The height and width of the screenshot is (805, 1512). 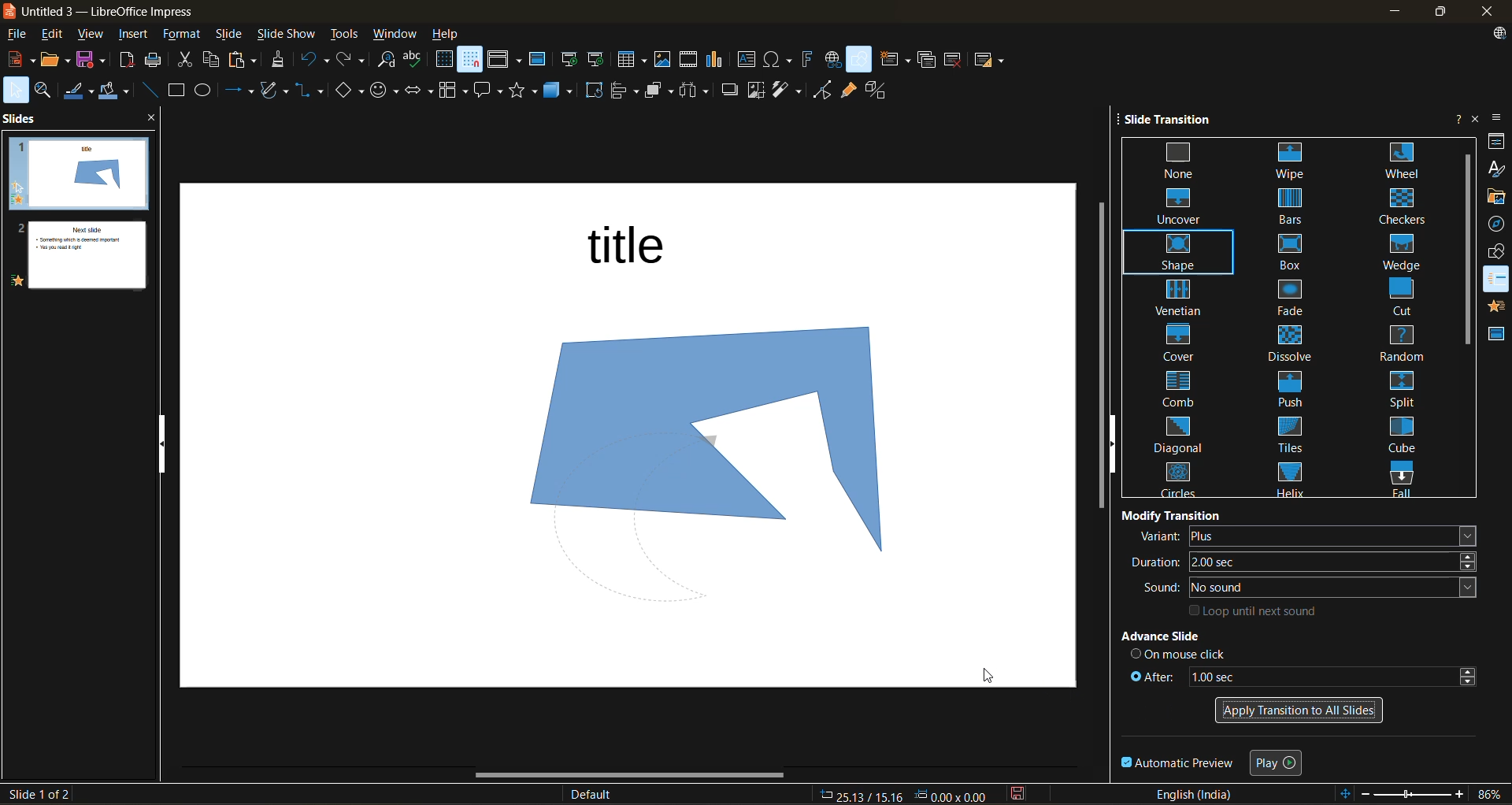 I want to click on window, so click(x=397, y=34).